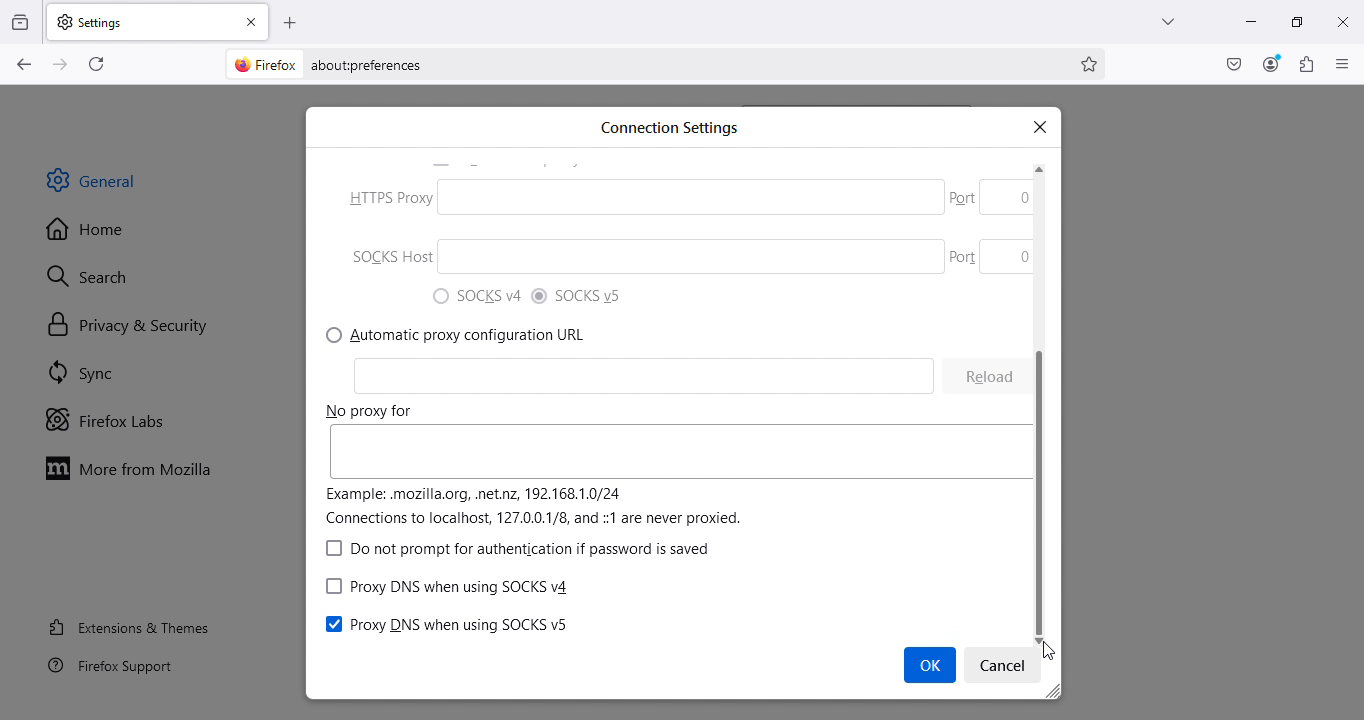 Image resolution: width=1364 pixels, height=720 pixels. What do you see at coordinates (600, 408) in the screenshot?
I see `P
HTTPS Proxy.` at bounding box center [600, 408].